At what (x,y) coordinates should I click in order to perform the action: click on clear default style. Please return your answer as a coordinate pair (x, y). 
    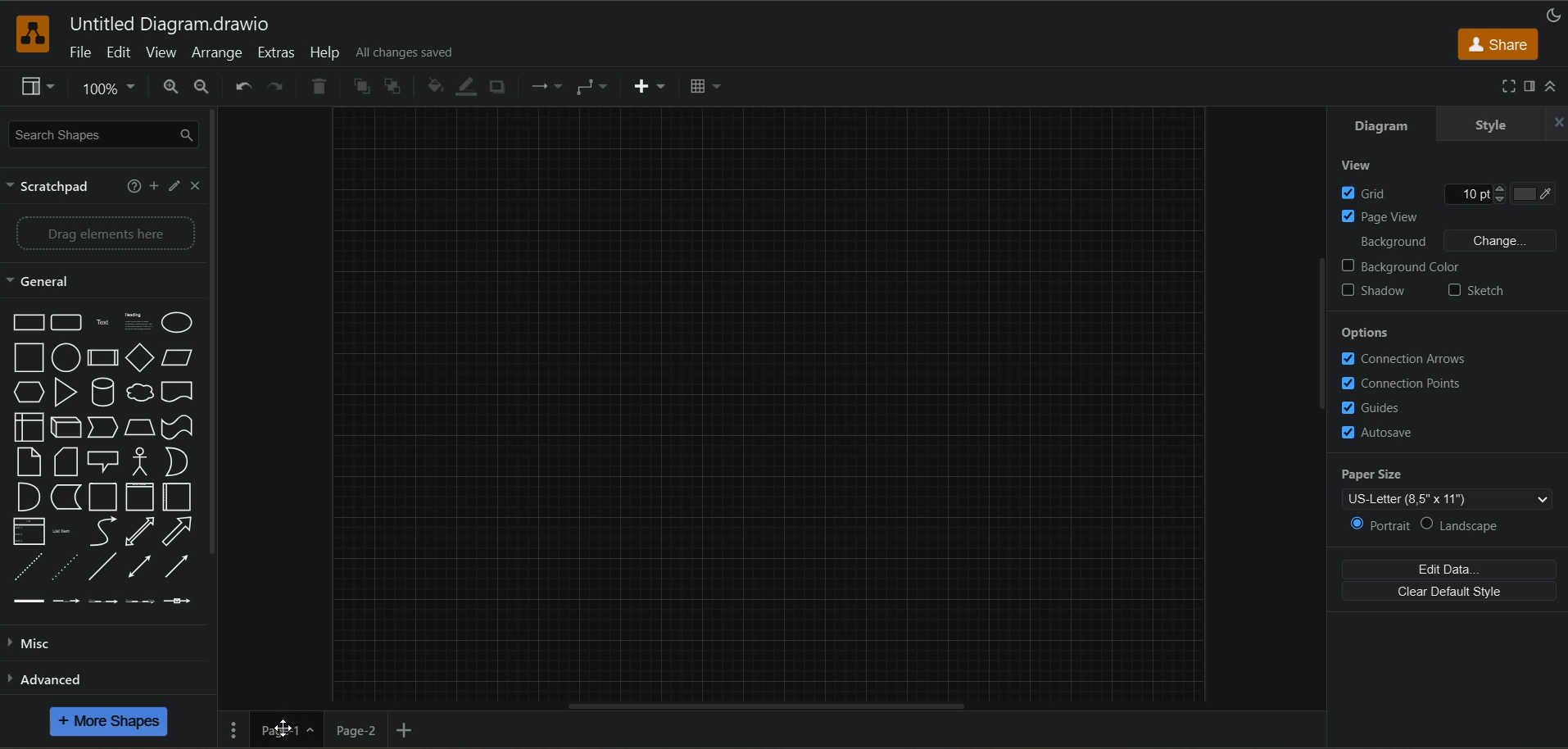
    Looking at the image, I should click on (1448, 591).